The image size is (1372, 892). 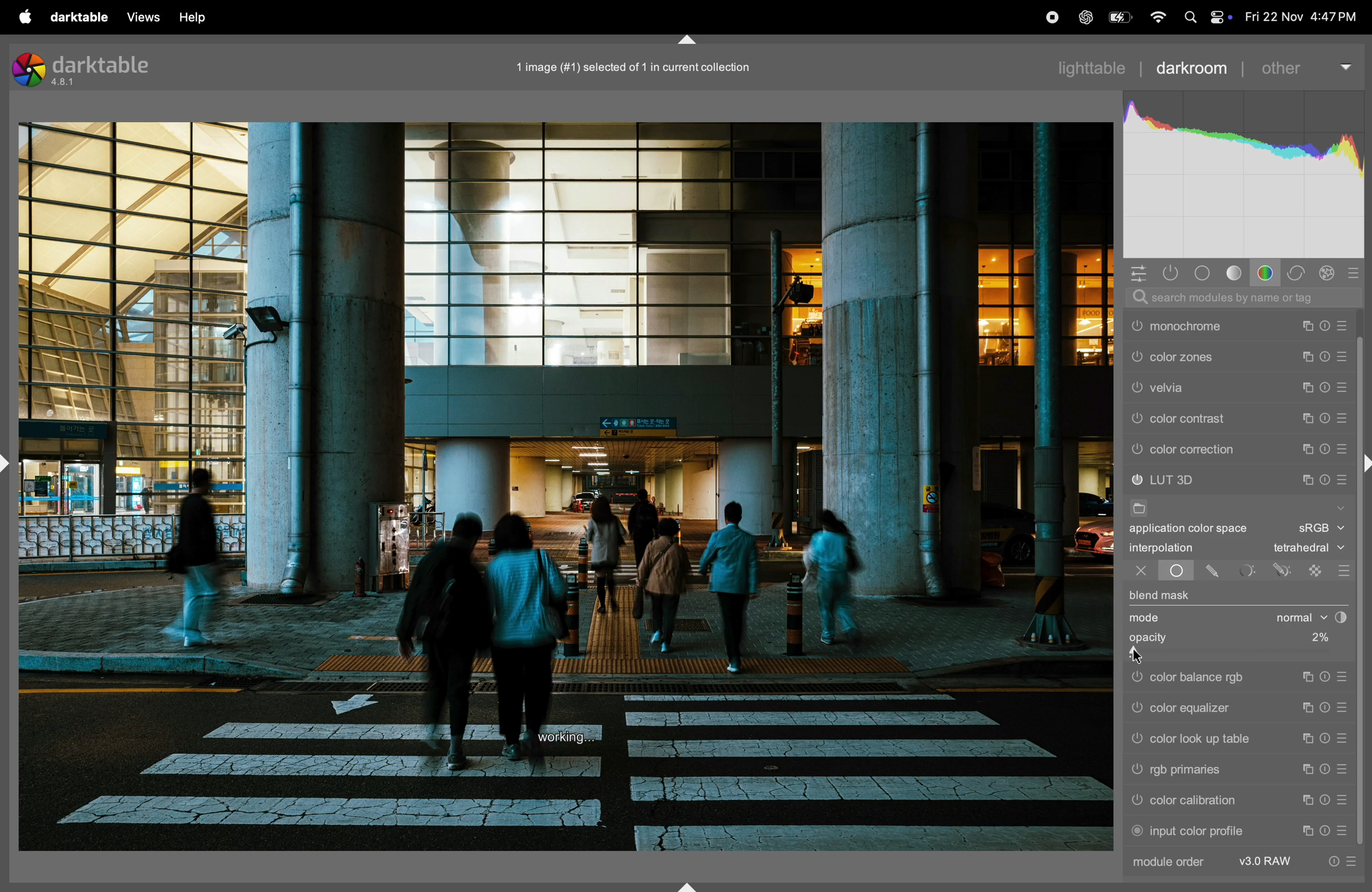 I want to click on search bar, so click(x=1246, y=298).